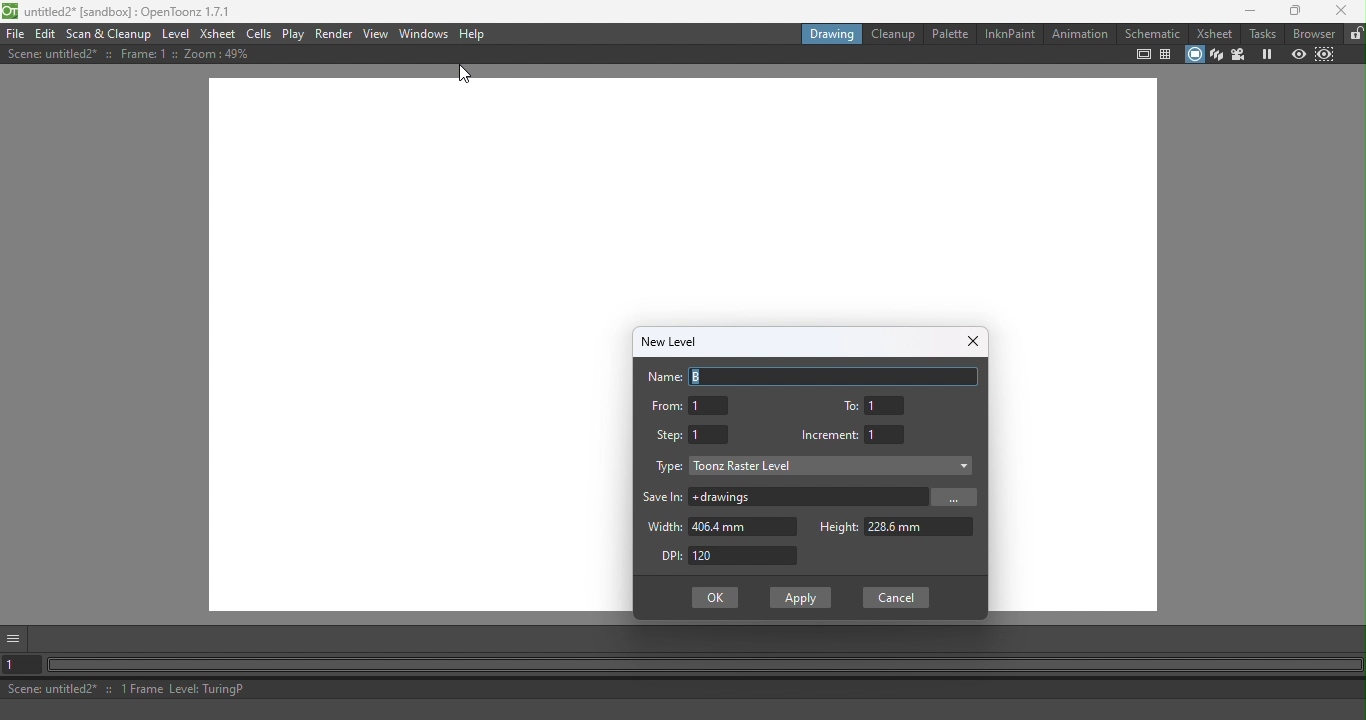 The image size is (1366, 720). What do you see at coordinates (1195, 55) in the screenshot?
I see `Camera stand view` at bounding box center [1195, 55].